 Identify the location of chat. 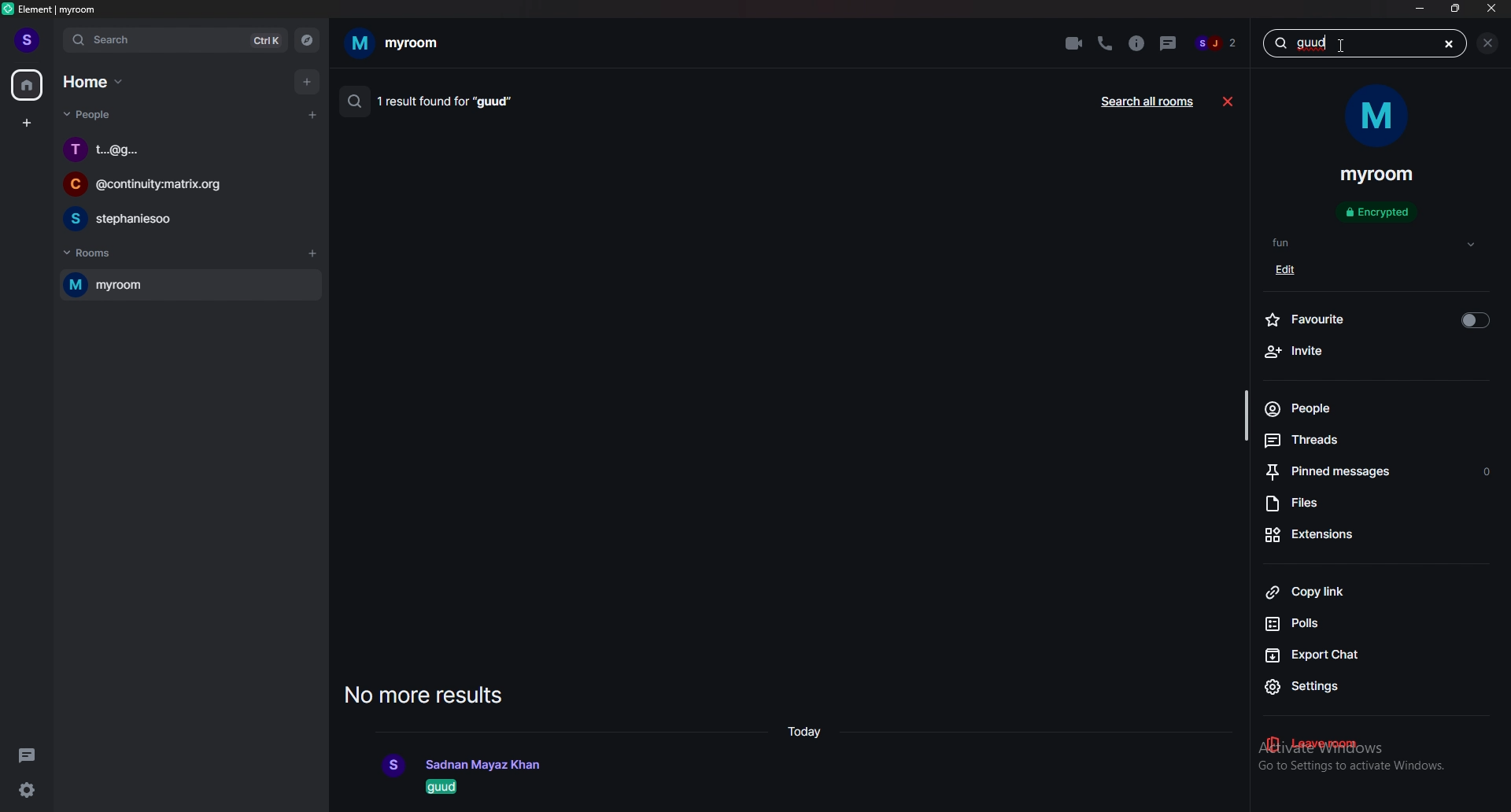
(187, 185).